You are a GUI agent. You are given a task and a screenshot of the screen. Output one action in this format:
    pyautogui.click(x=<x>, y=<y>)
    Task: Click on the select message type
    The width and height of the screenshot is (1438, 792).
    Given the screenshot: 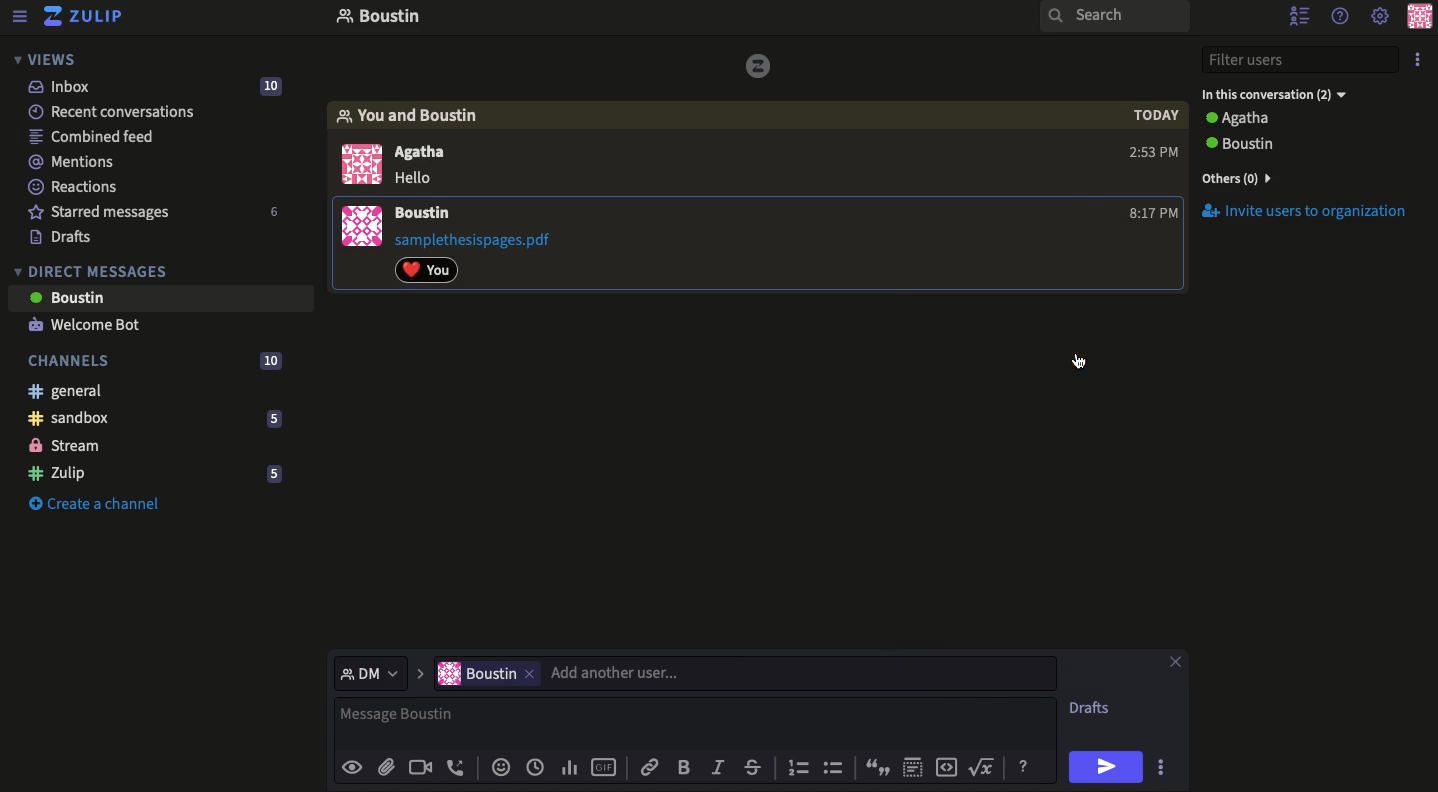 What is the action you would take?
    pyautogui.click(x=372, y=672)
    